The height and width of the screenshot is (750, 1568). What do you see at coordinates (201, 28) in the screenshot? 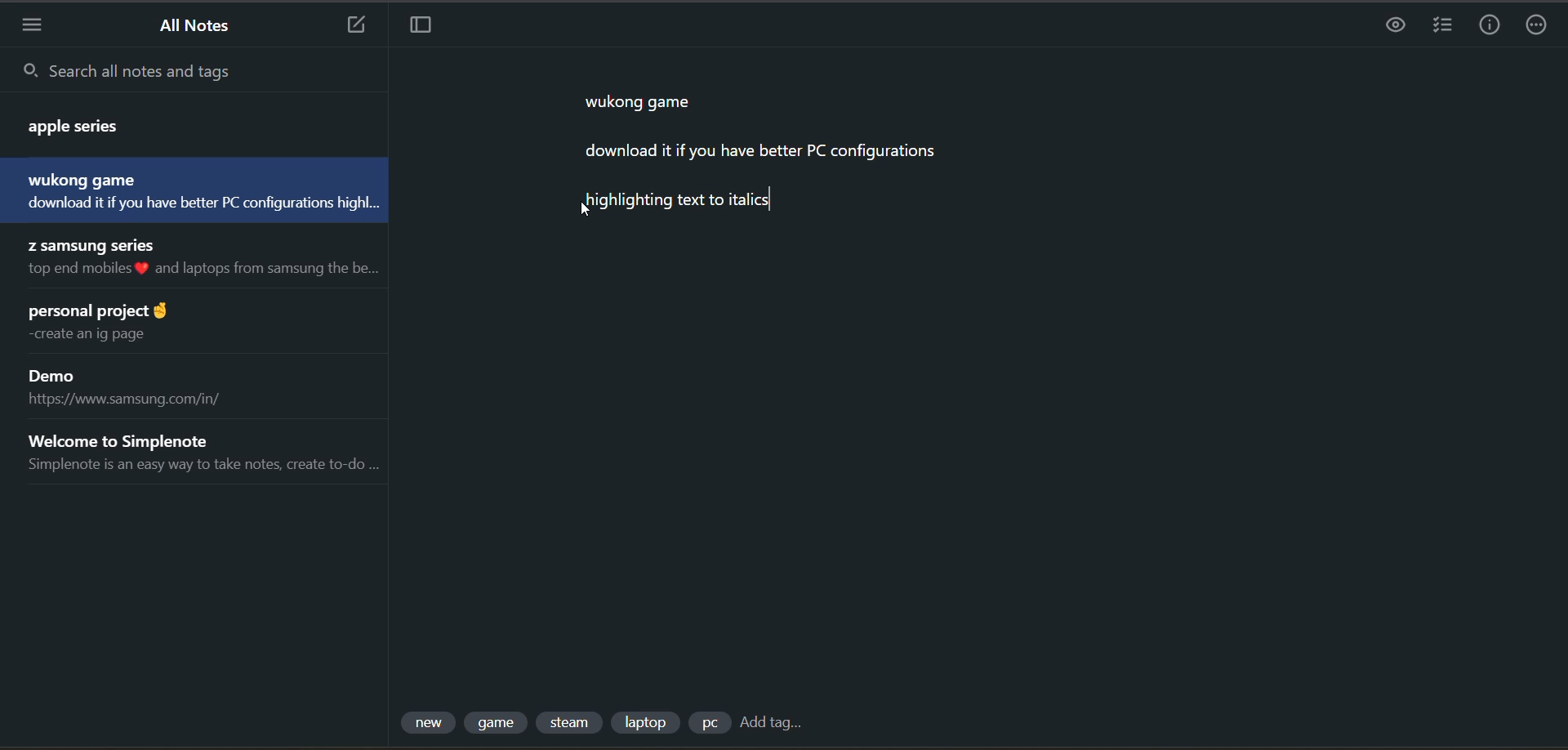
I see `all notes` at bounding box center [201, 28].